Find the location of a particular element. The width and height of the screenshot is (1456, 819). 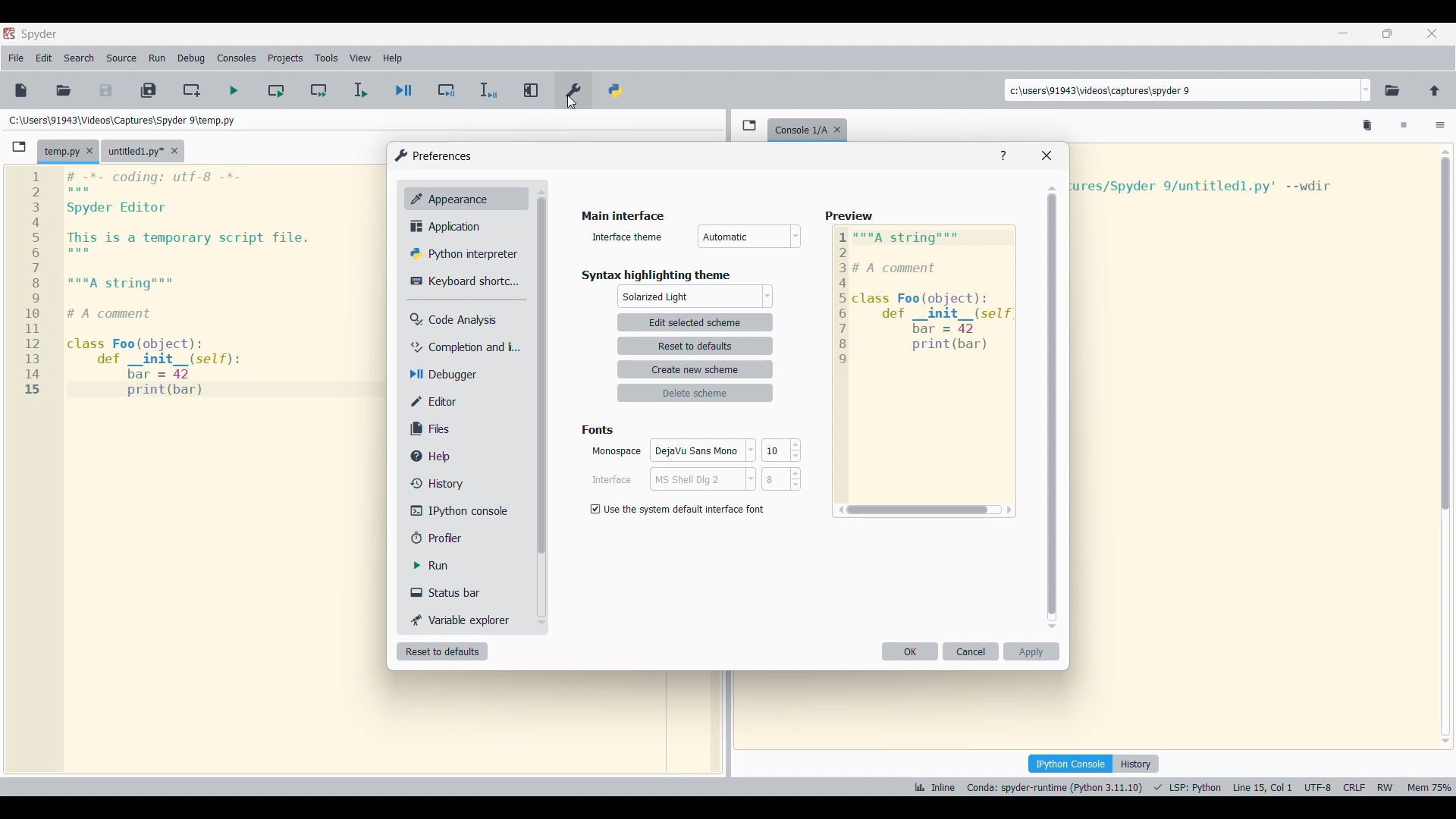

Source menu is located at coordinates (121, 58).